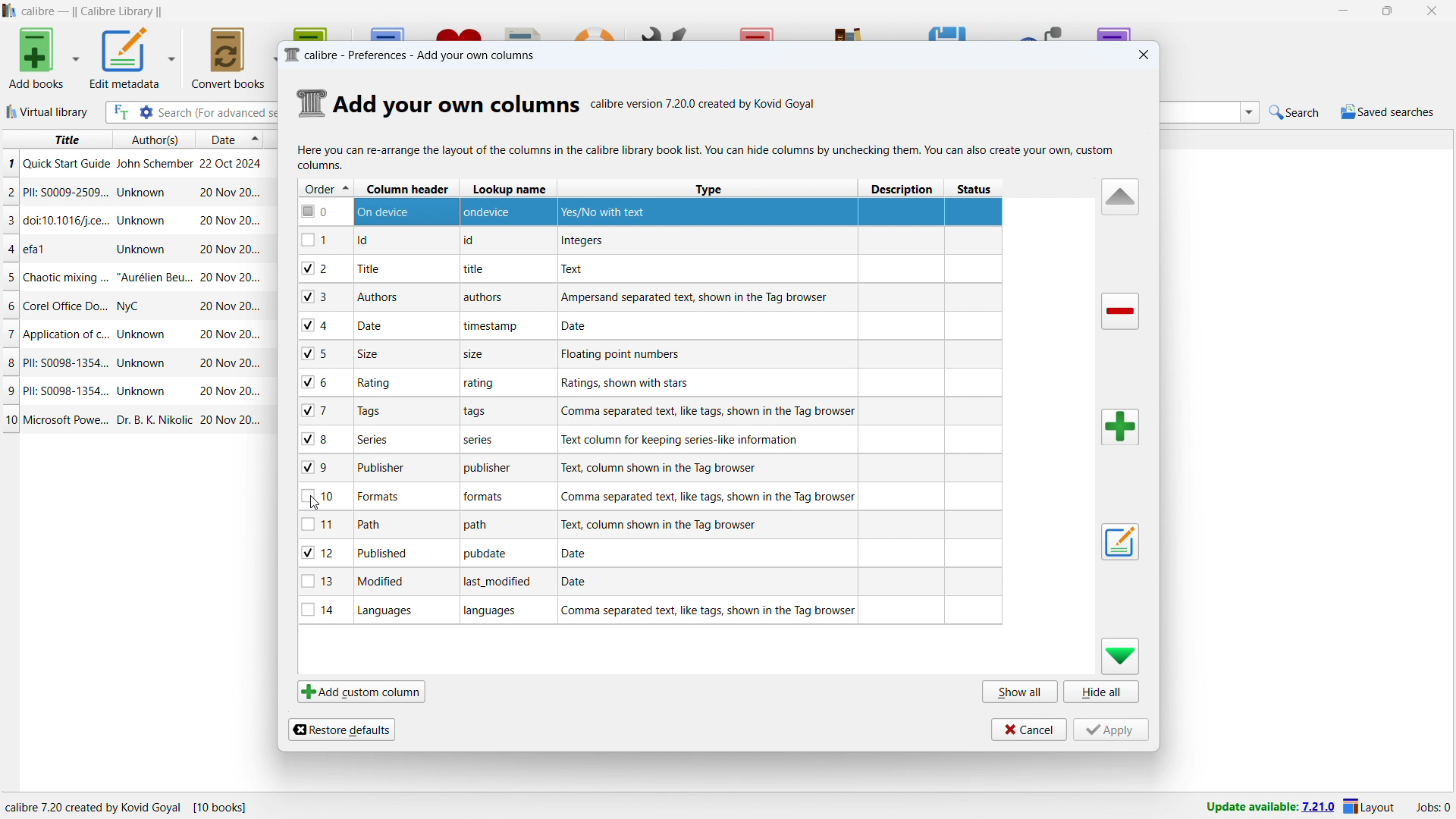 The width and height of the screenshot is (1456, 819). I want to click on active jobs, so click(1434, 808).